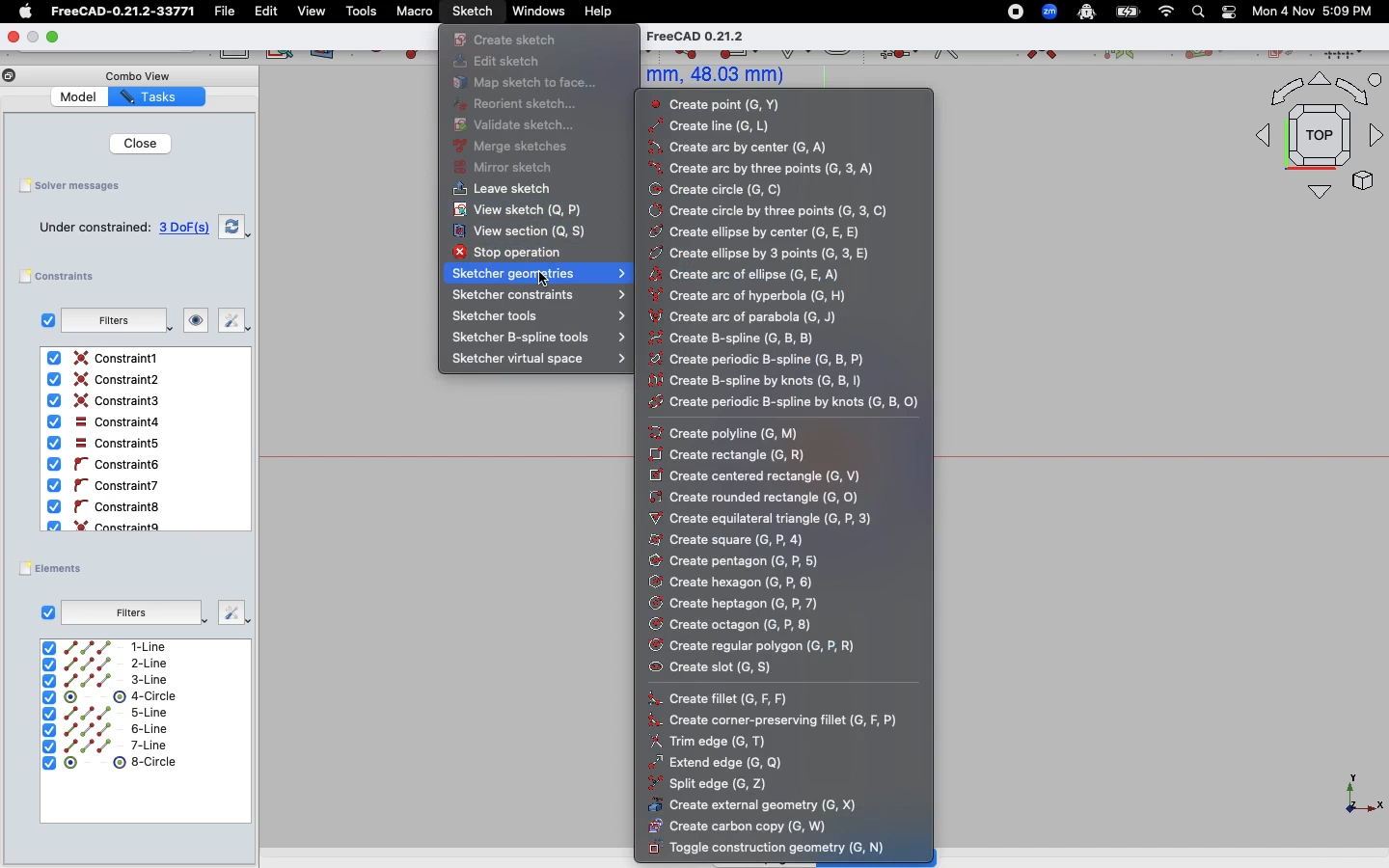 The height and width of the screenshot is (868, 1389). What do you see at coordinates (312, 11) in the screenshot?
I see `view` at bounding box center [312, 11].